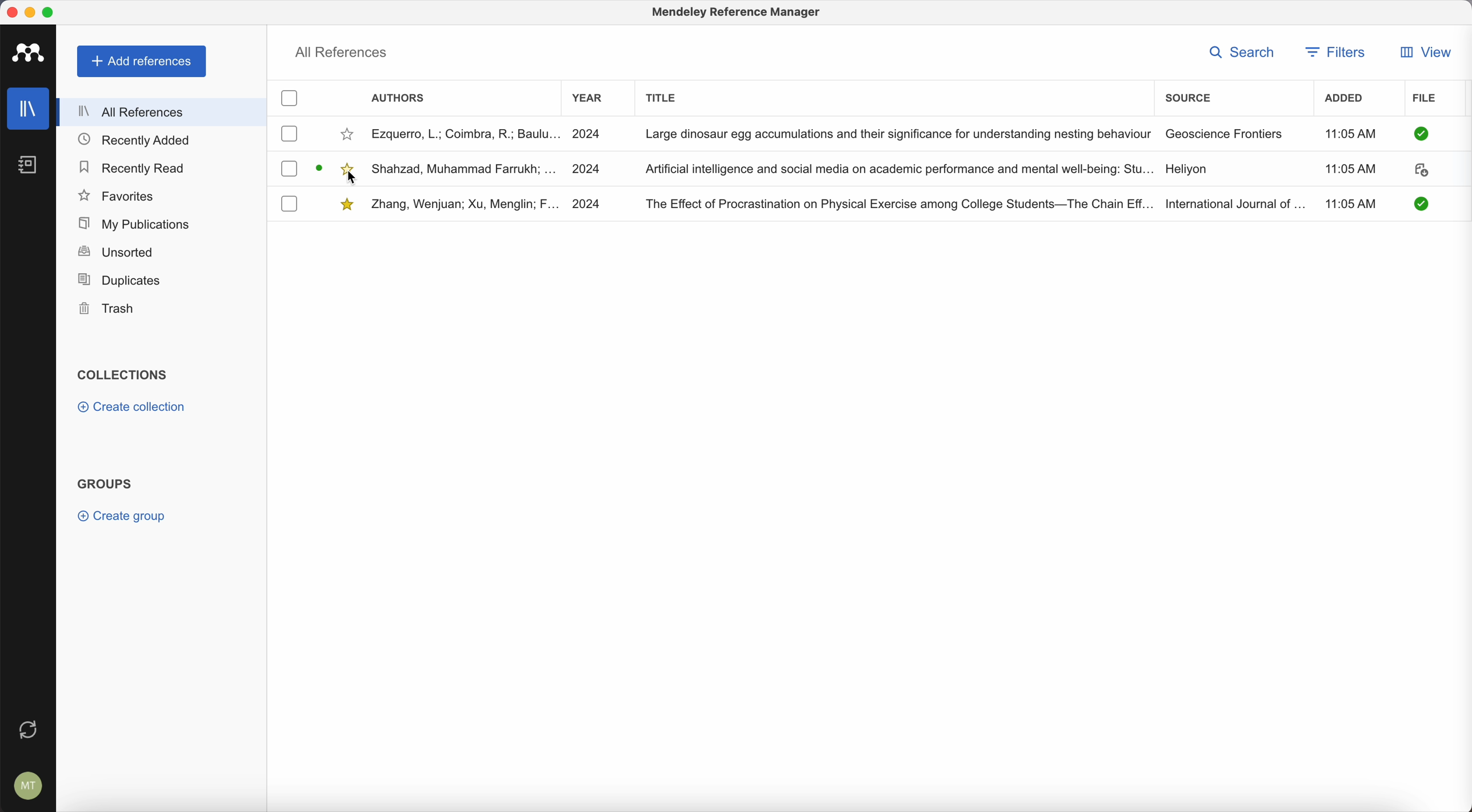  Describe the element at coordinates (30, 11) in the screenshot. I see `minimize program` at that location.